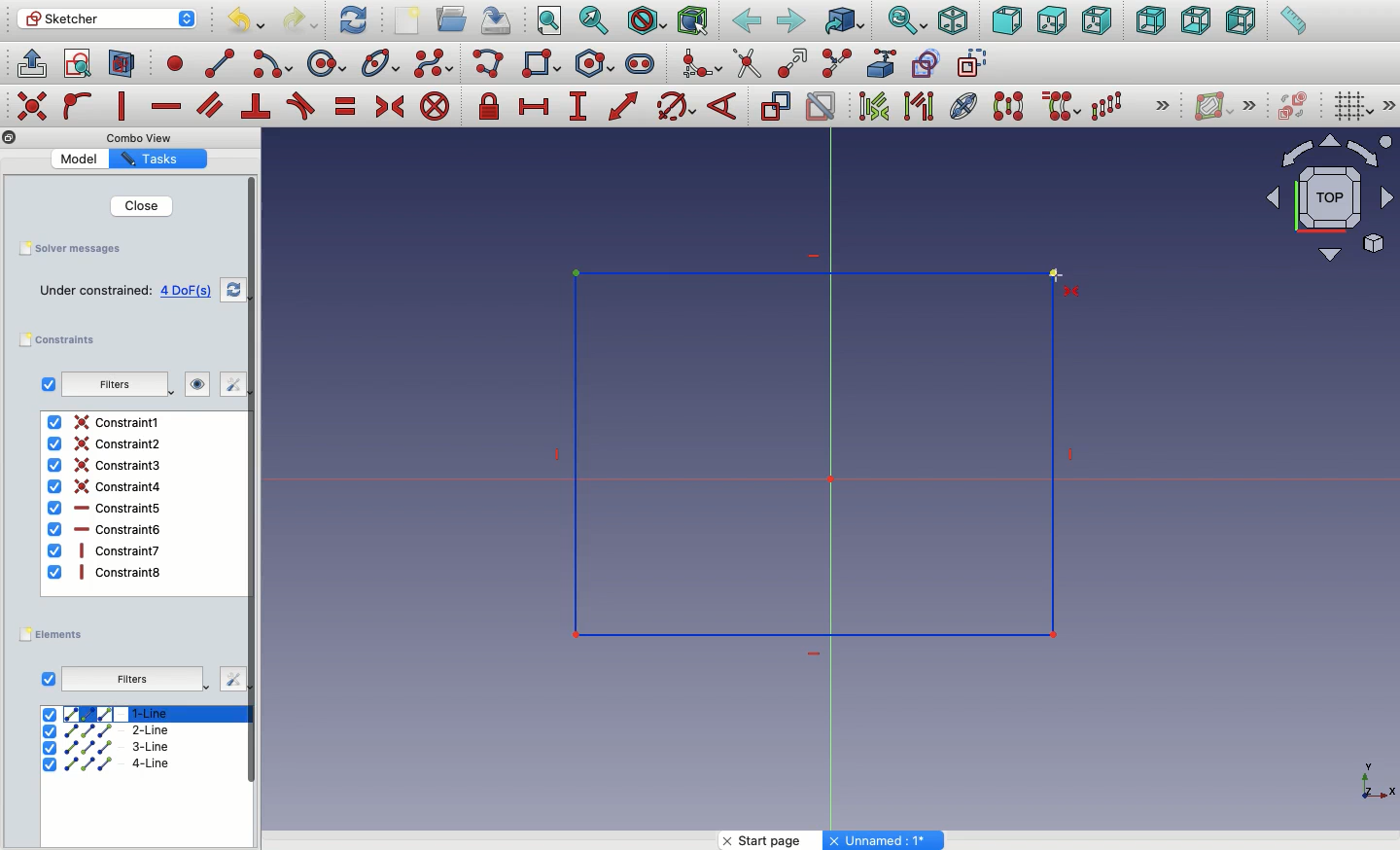  I want to click on Expand, so click(1390, 105).